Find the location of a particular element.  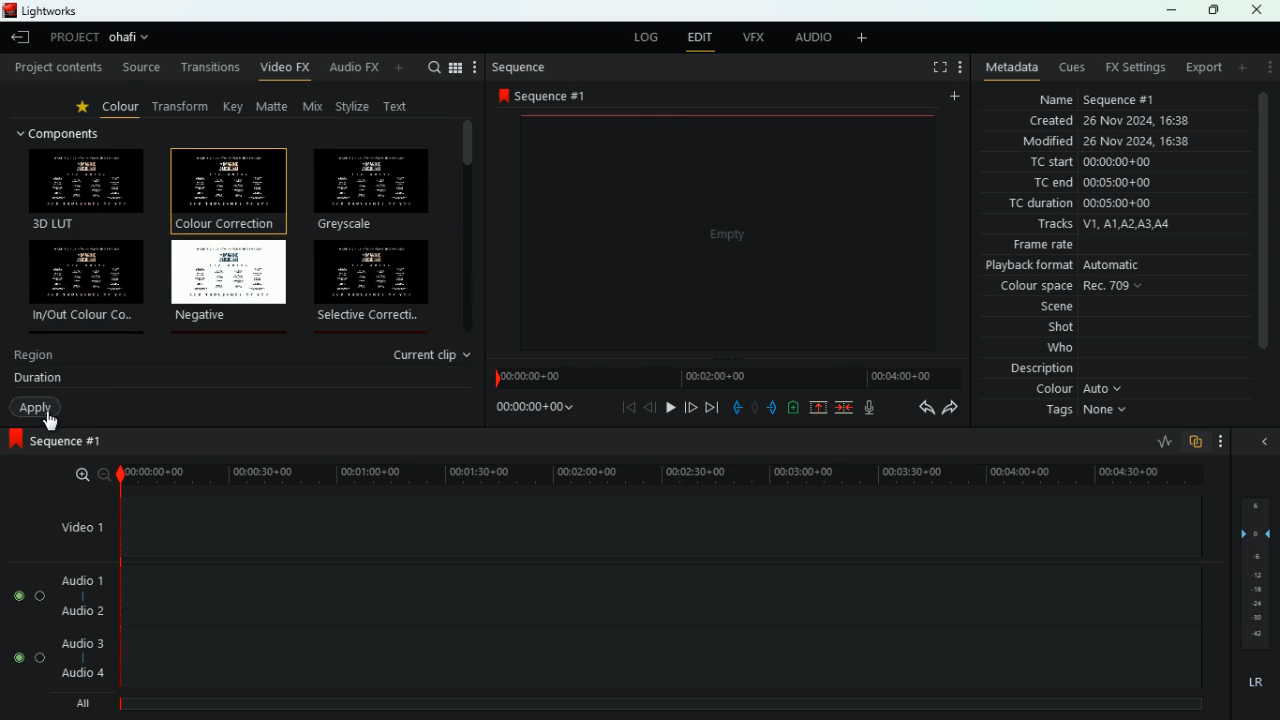

cursor is located at coordinates (52, 419).